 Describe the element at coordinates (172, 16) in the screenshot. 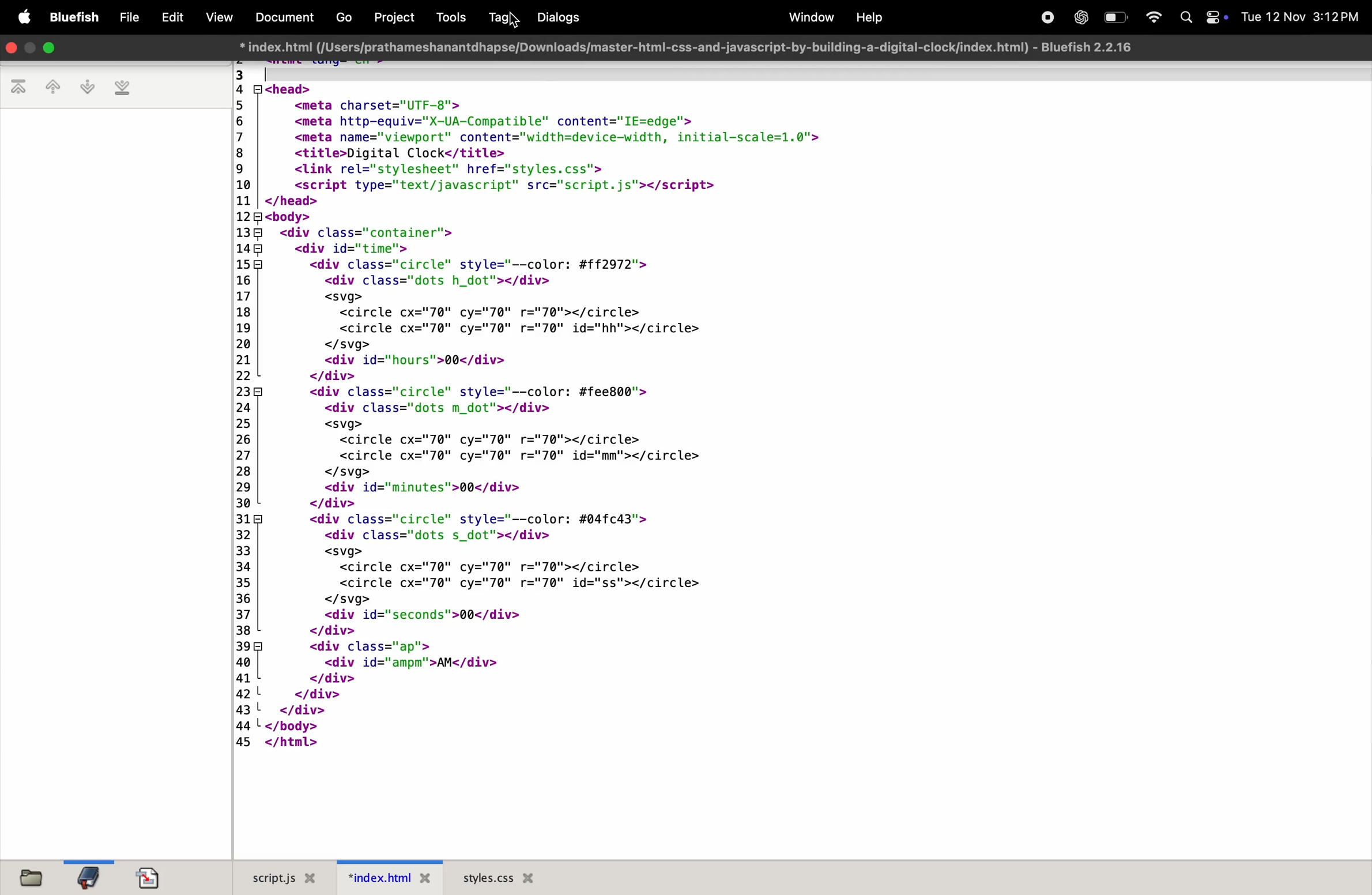

I see `edit` at that location.